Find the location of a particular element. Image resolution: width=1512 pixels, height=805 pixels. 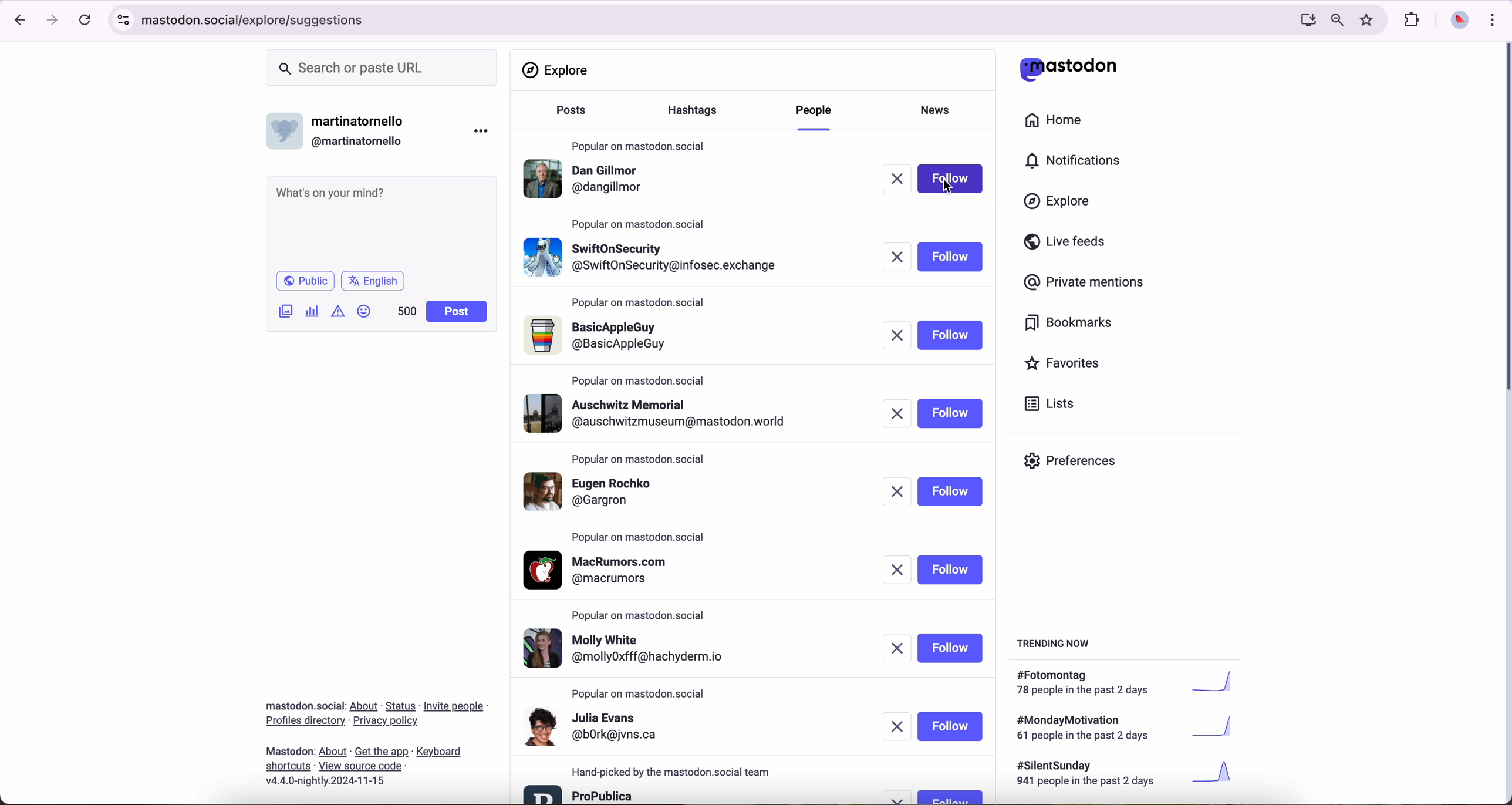

follow button is located at coordinates (951, 726).